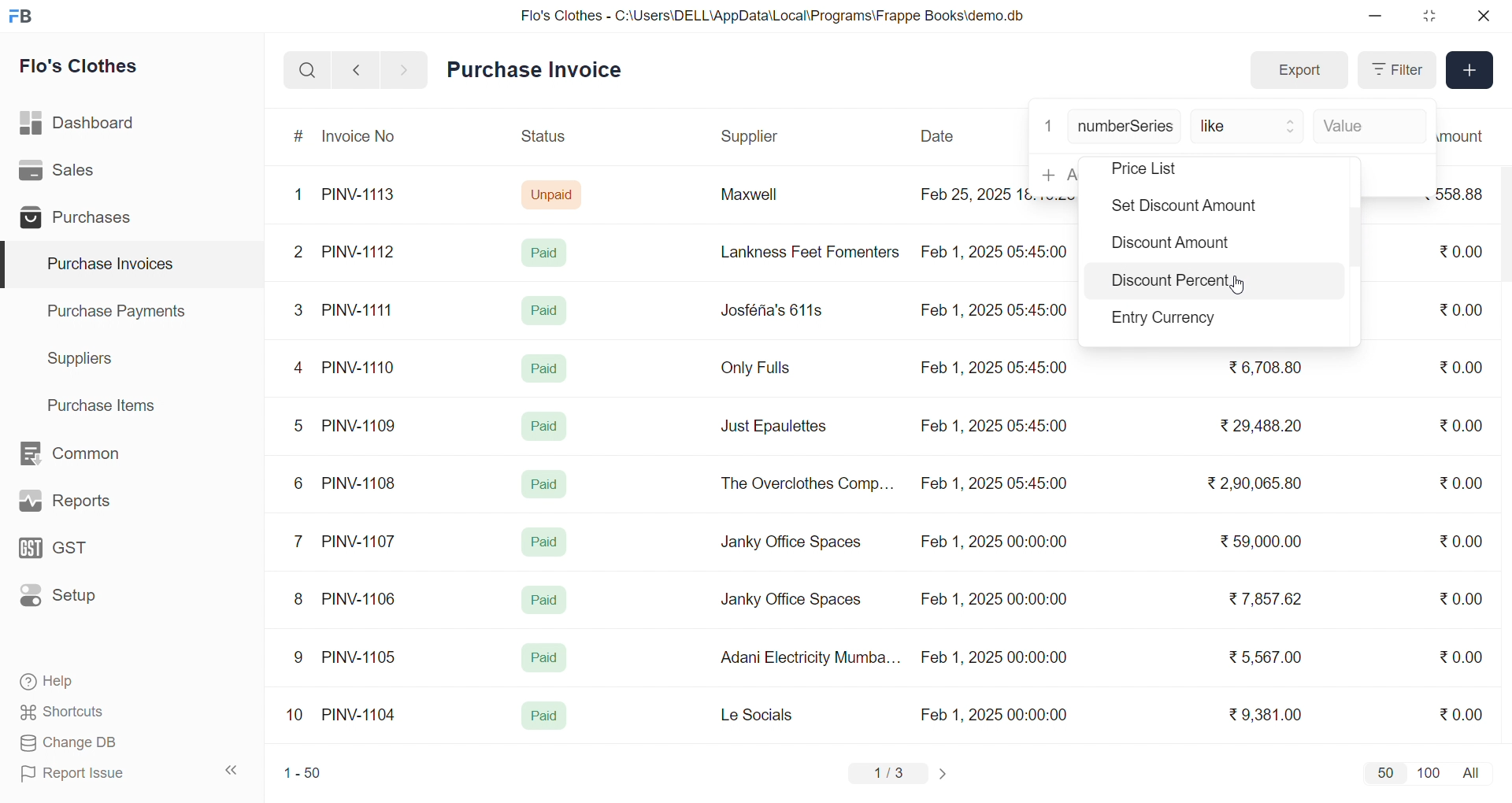 Image resolution: width=1512 pixels, height=803 pixels. What do you see at coordinates (359, 309) in the screenshot?
I see `PINV-1111` at bounding box center [359, 309].